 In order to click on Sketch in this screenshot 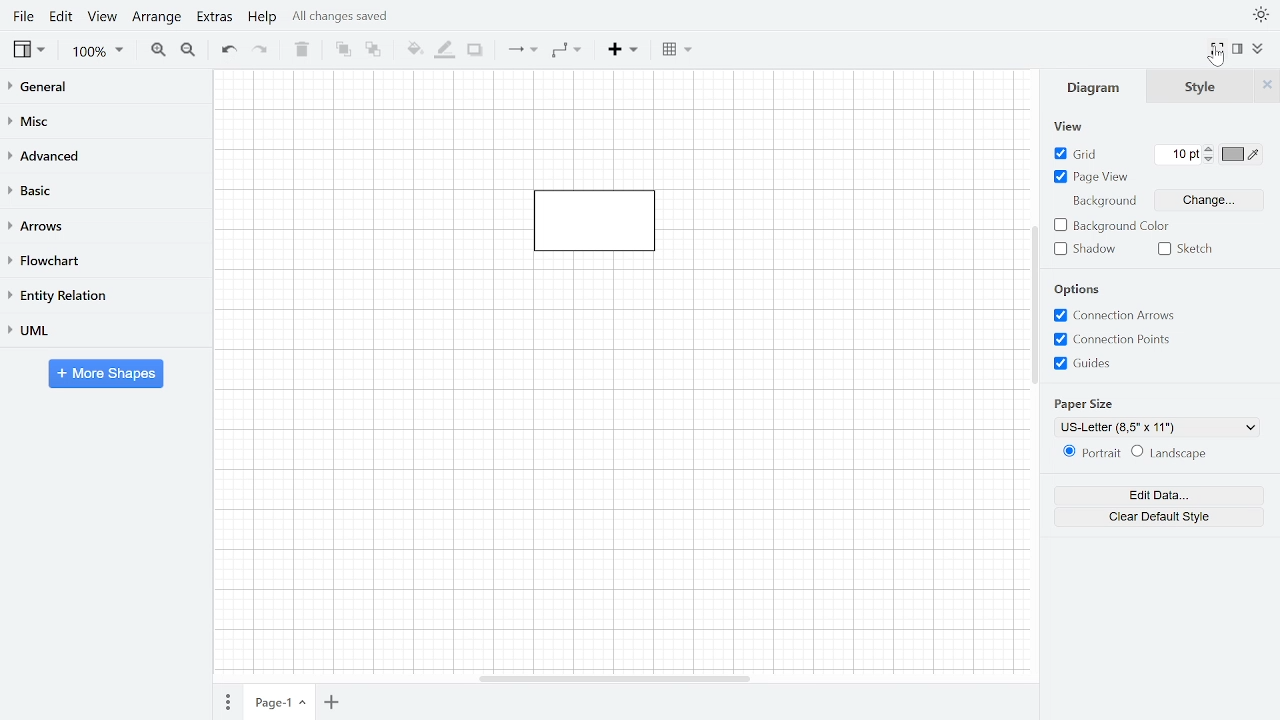, I will do `click(1186, 250)`.